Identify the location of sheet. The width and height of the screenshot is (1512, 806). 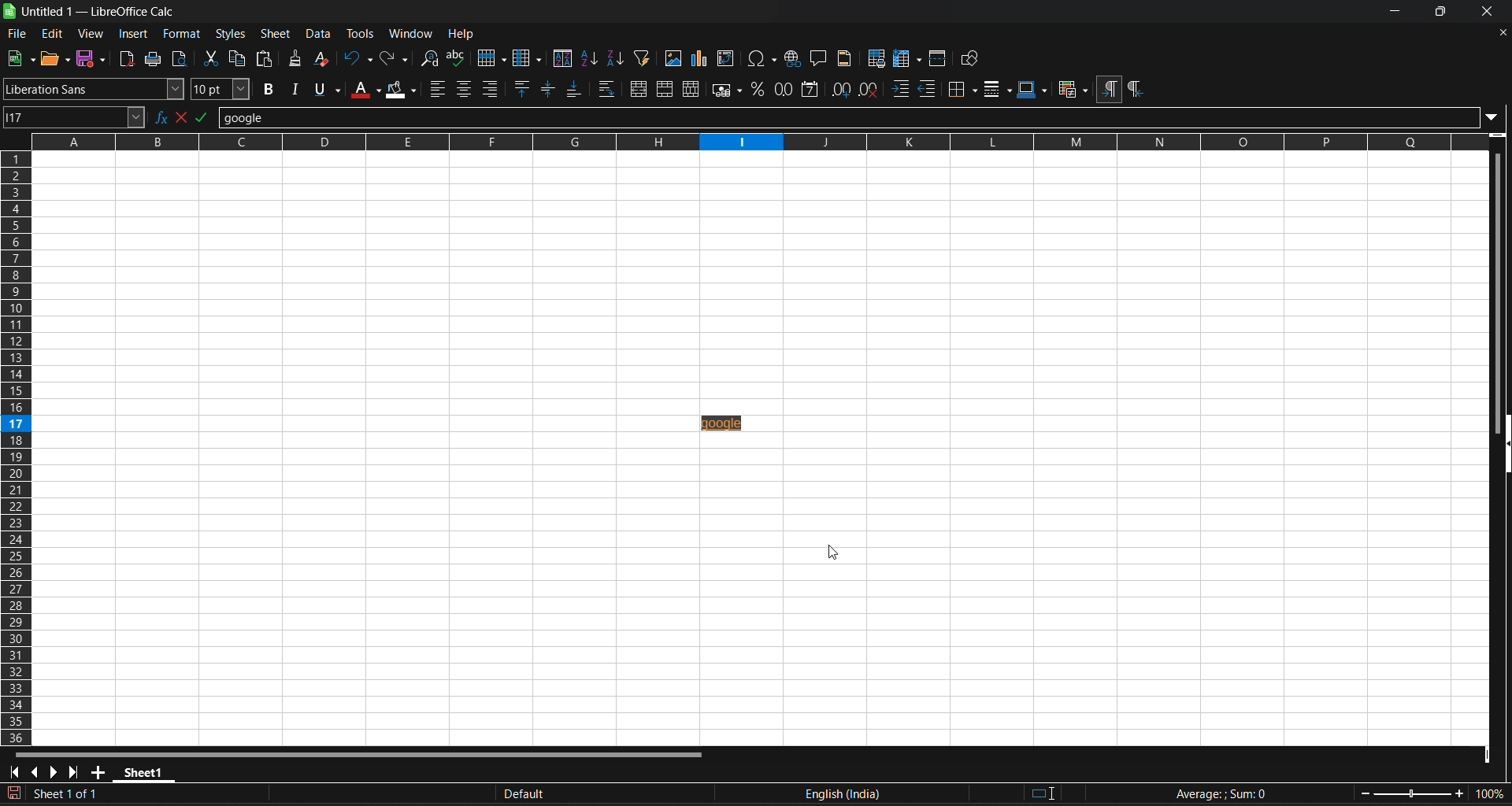
(276, 34).